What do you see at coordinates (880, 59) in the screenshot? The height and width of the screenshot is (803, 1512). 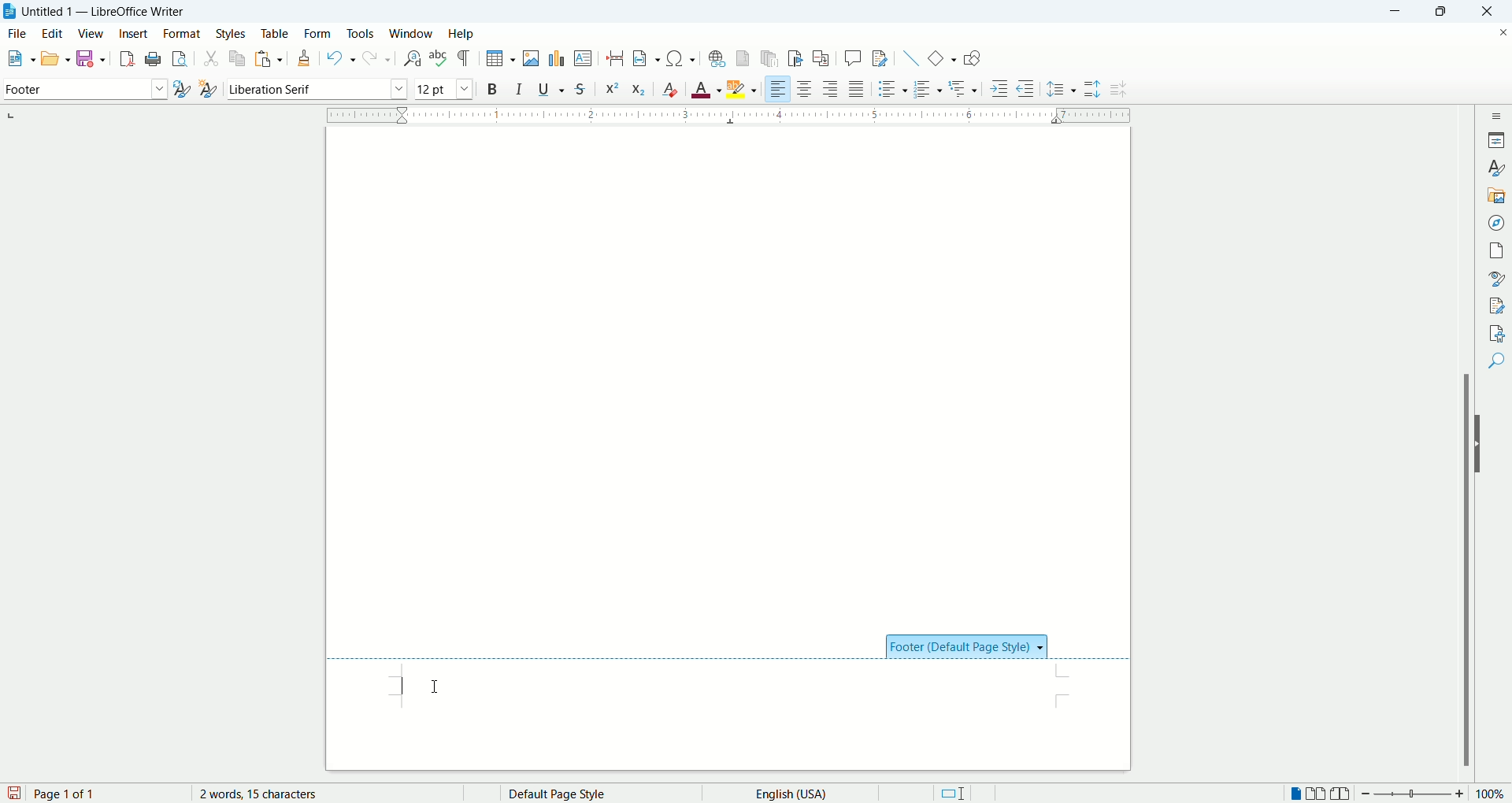 I see `track changes` at bounding box center [880, 59].